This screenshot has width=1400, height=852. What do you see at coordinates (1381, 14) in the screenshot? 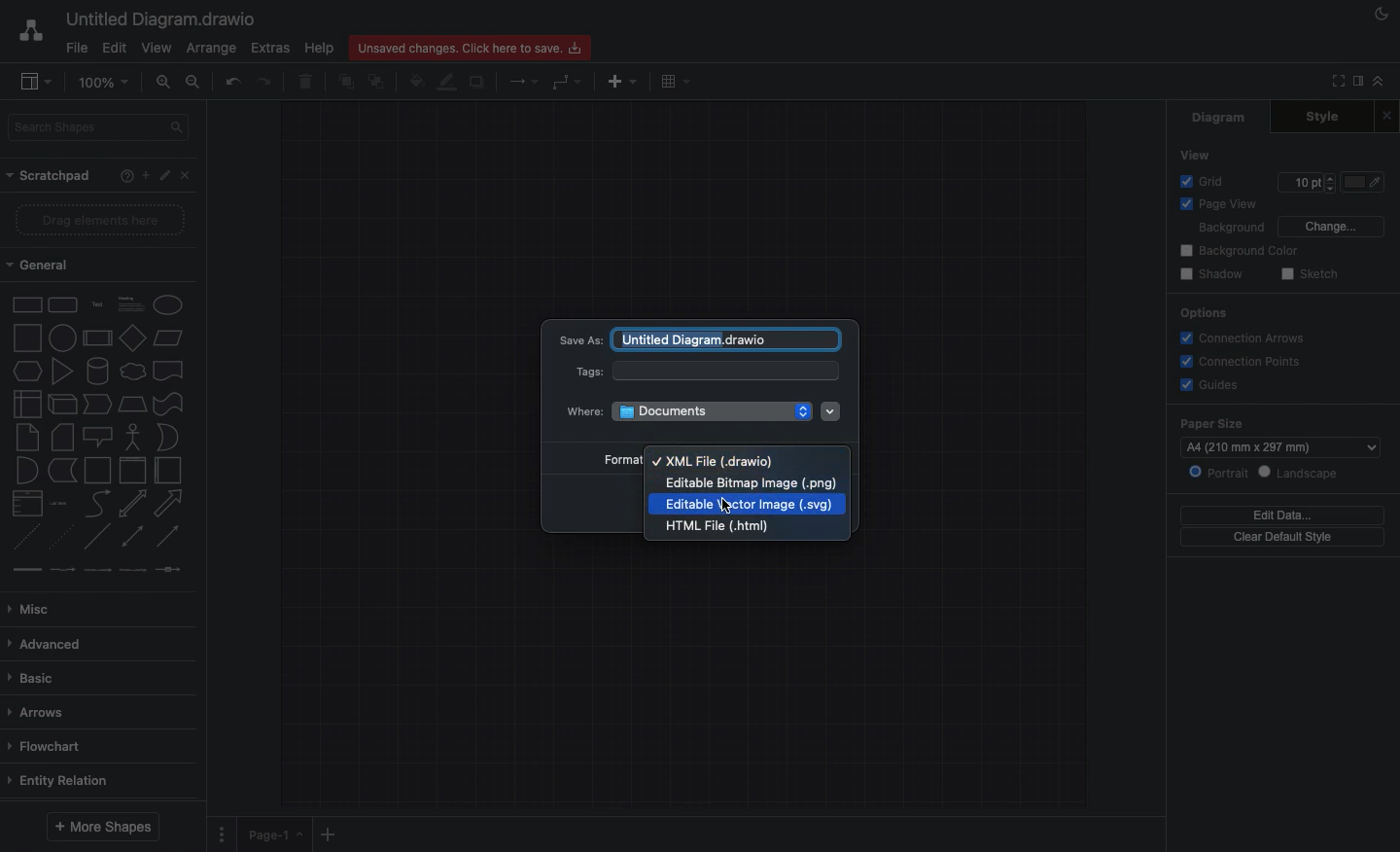
I see `Night mode` at bounding box center [1381, 14].